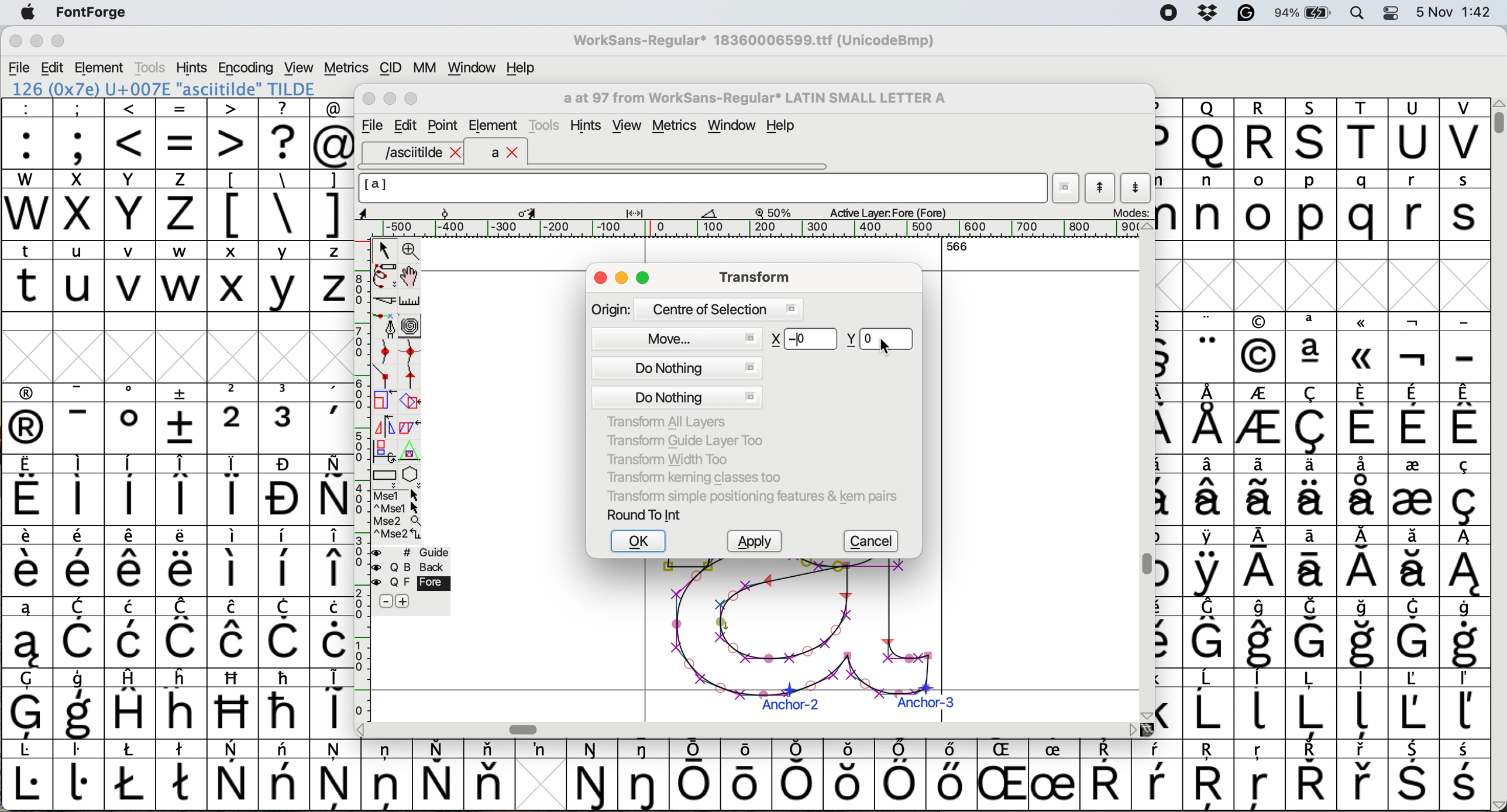 The width and height of the screenshot is (1507, 812). Describe the element at coordinates (1133, 729) in the screenshot. I see `scroll button` at that location.